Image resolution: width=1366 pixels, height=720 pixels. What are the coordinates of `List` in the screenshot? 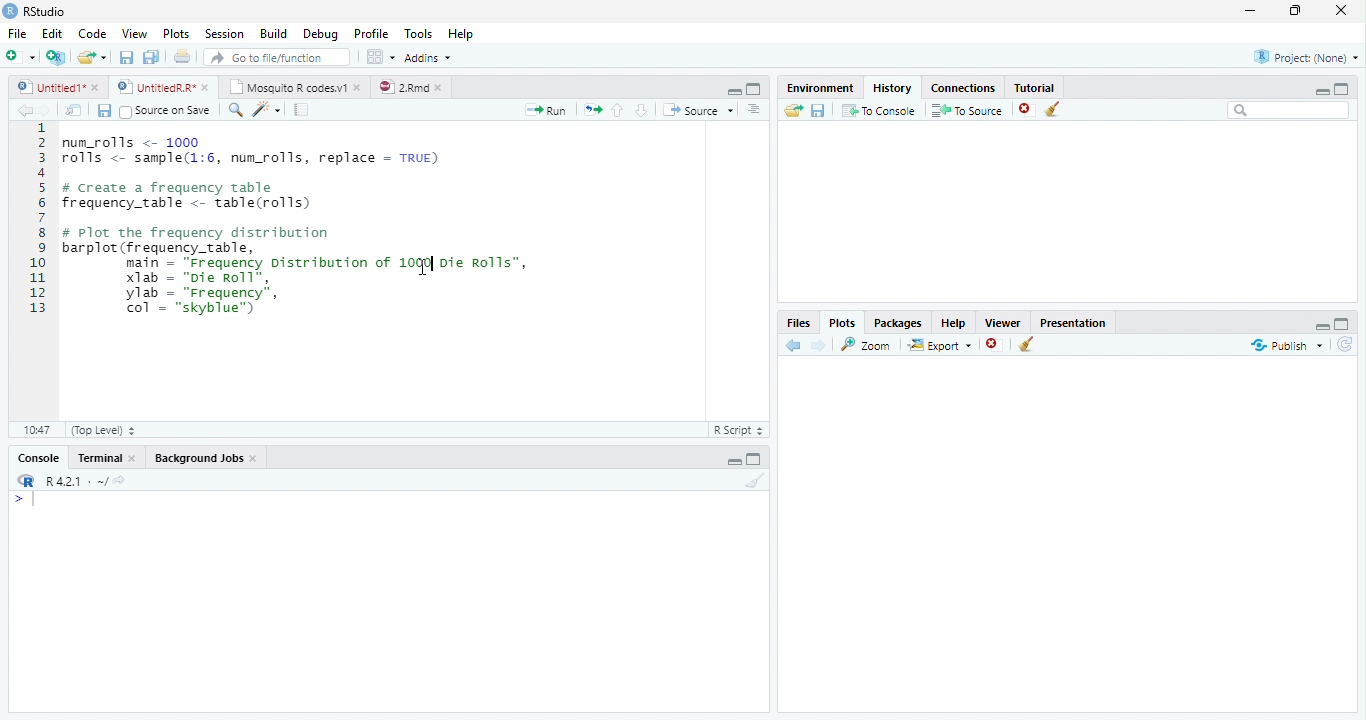 It's located at (756, 111).